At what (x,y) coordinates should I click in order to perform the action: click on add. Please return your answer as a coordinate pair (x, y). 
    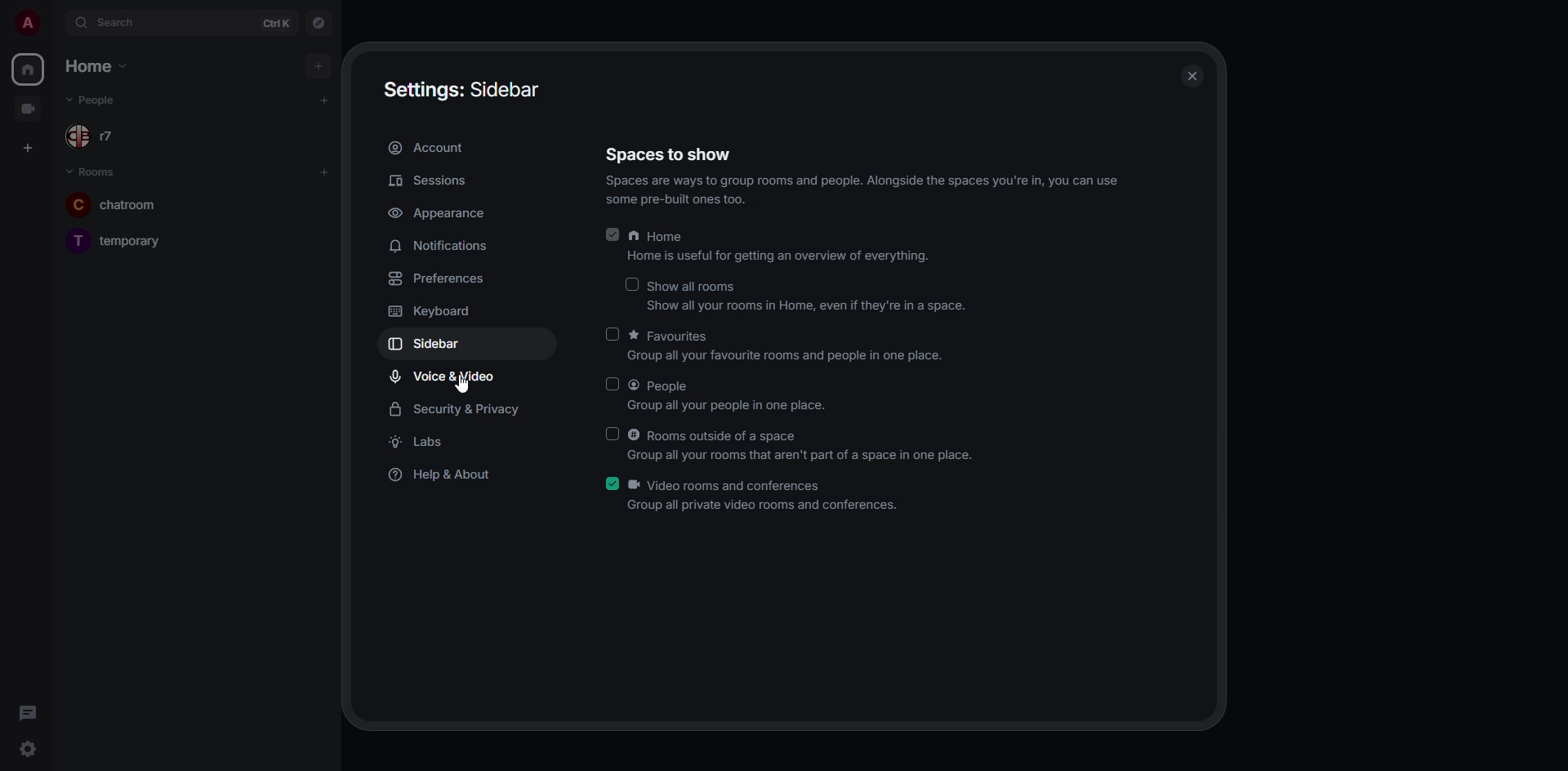
    Looking at the image, I should click on (324, 172).